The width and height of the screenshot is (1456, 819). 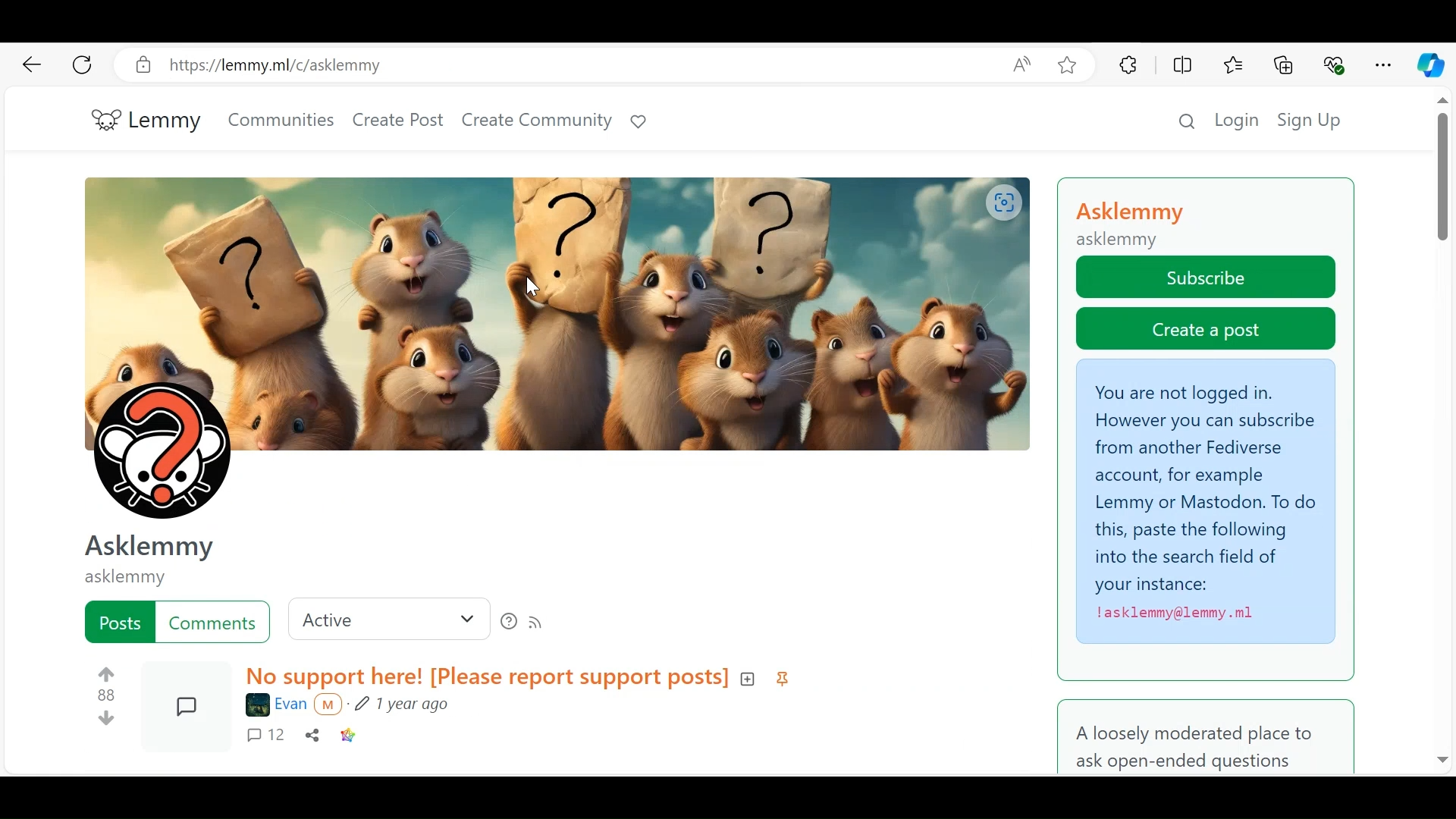 I want to click on Read aloud this page , so click(x=1026, y=65).